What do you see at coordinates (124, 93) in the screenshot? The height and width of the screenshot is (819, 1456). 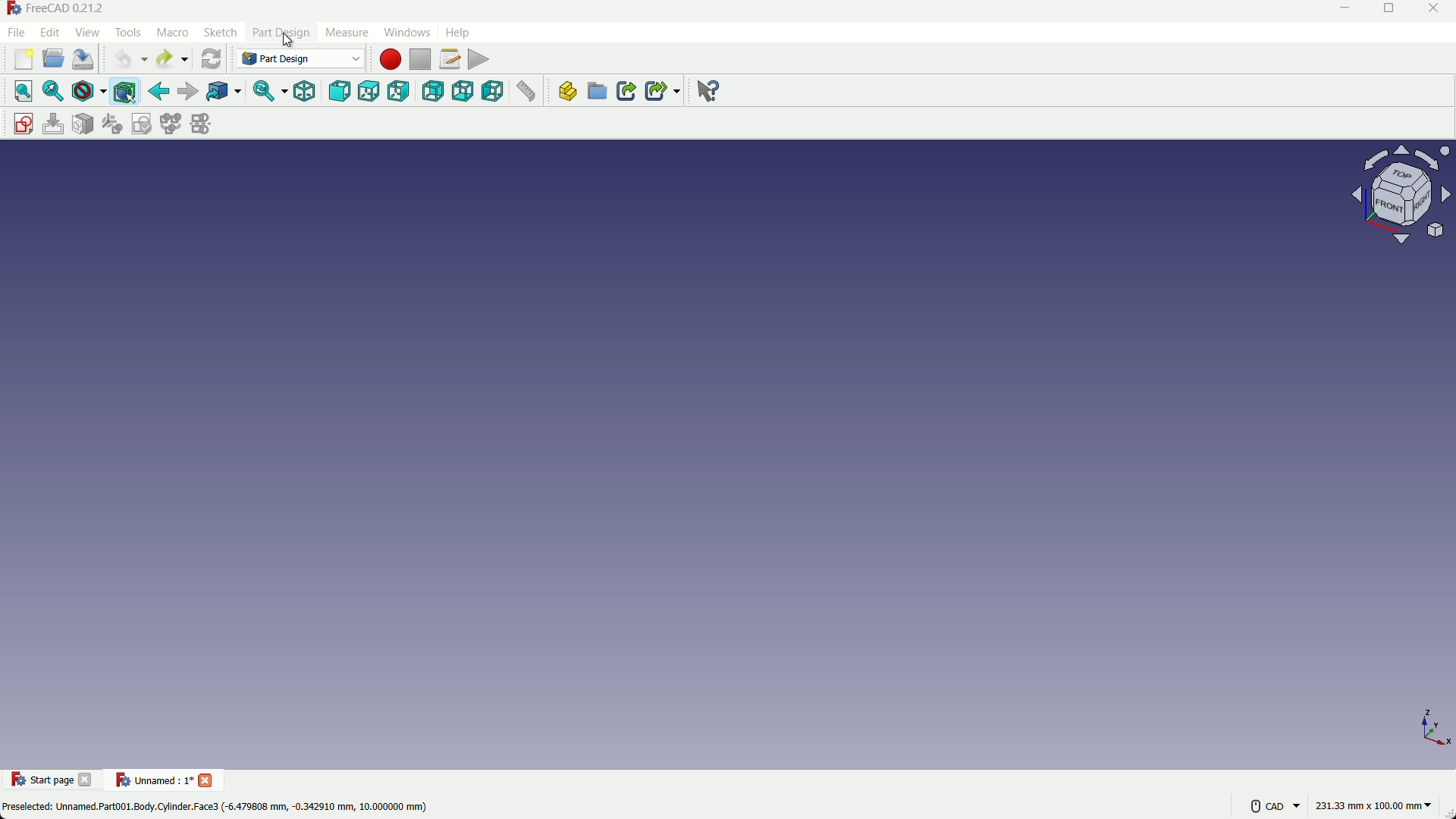 I see `bounding box` at bounding box center [124, 93].